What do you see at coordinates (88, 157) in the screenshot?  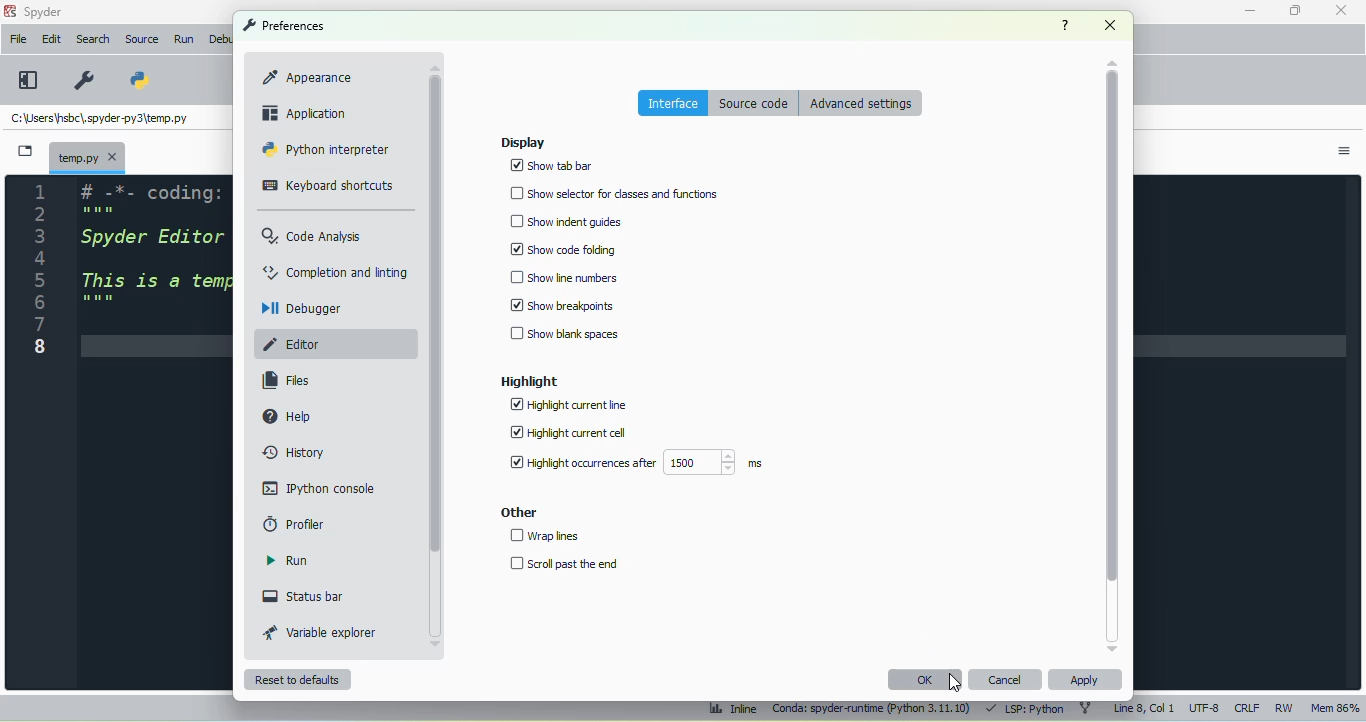 I see `temporary file` at bounding box center [88, 157].